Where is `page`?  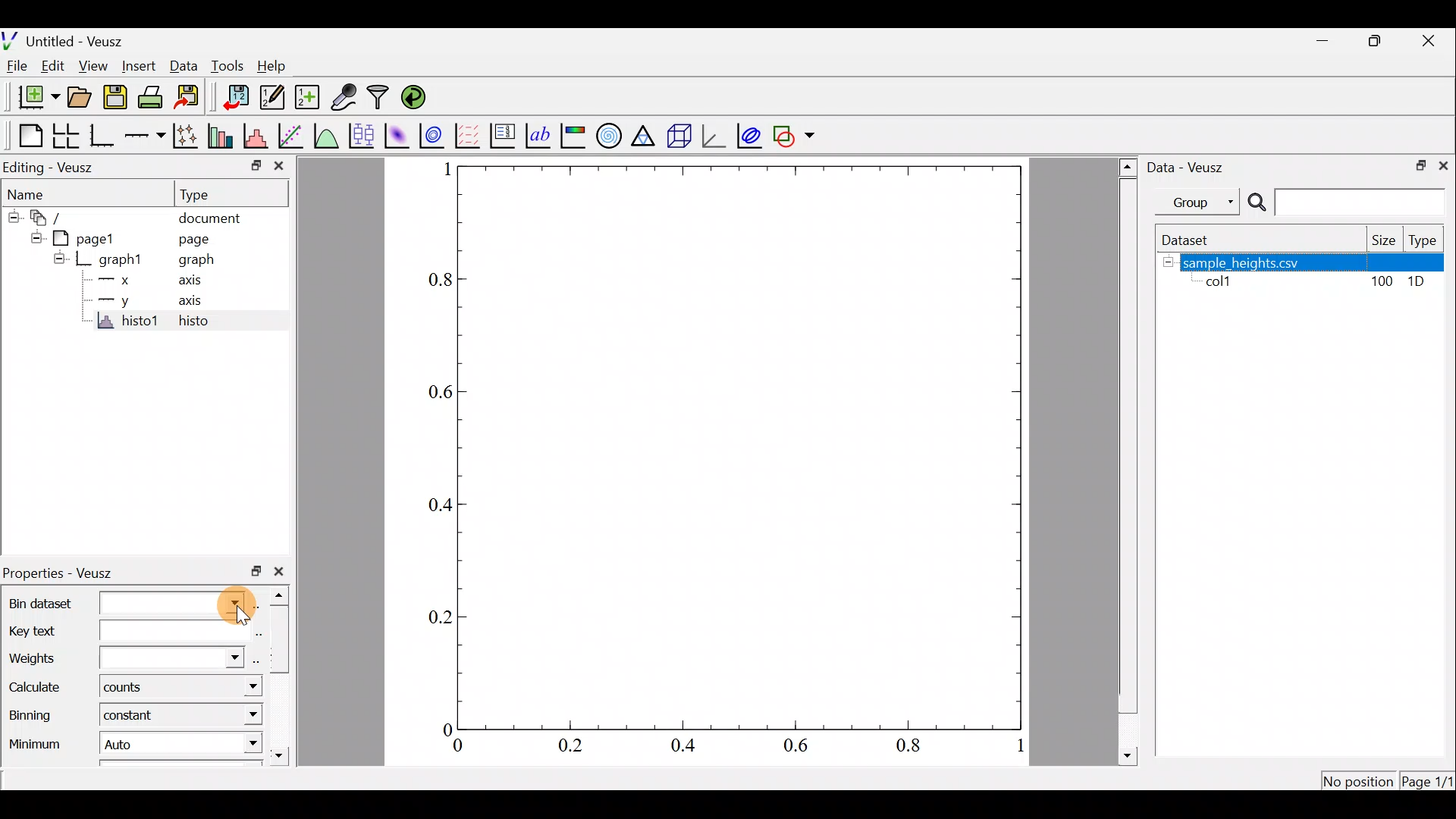
page is located at coordinates (92, 239).